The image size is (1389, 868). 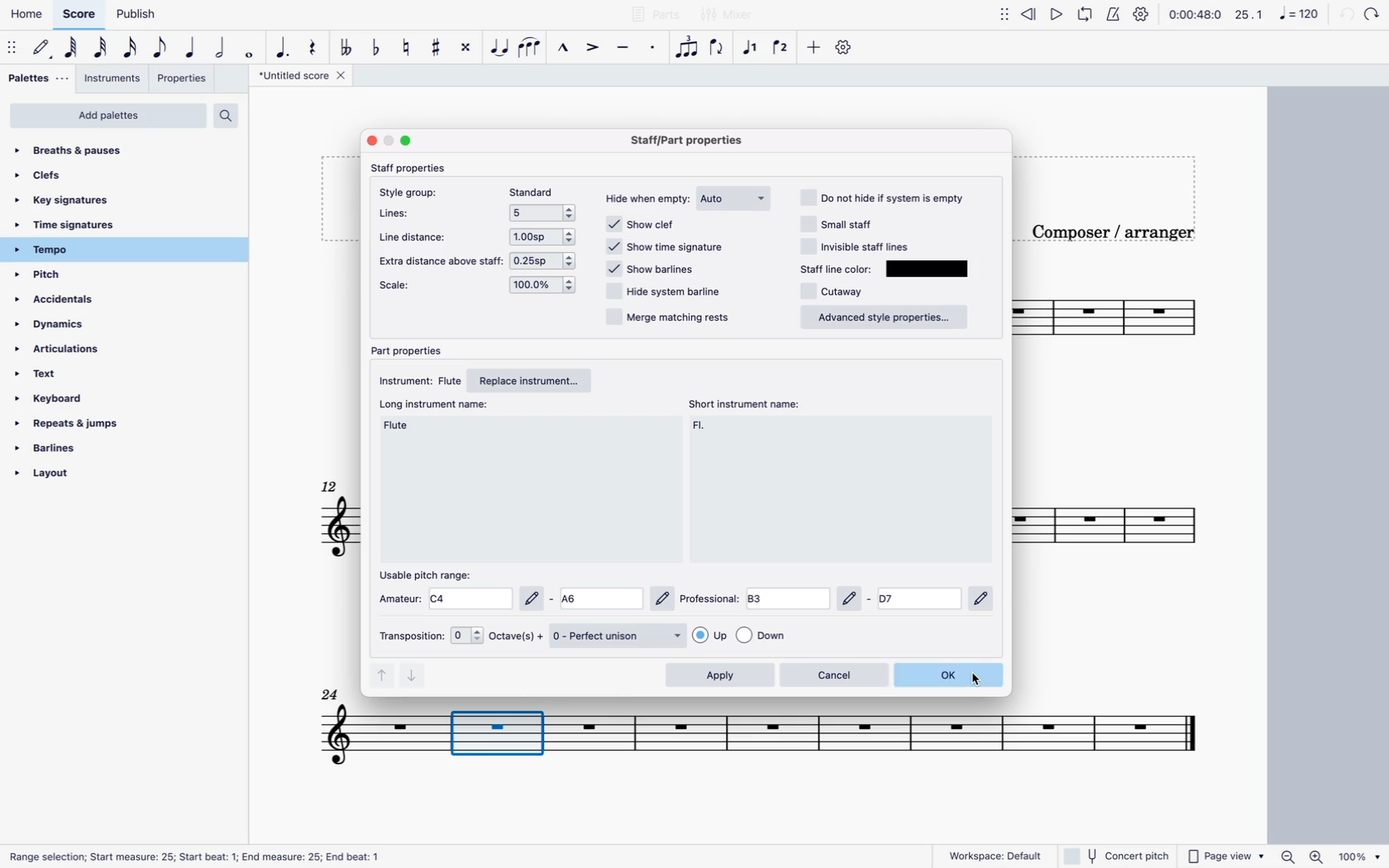 I want to click on Composer / arranger, so click(x=1110, y=230).